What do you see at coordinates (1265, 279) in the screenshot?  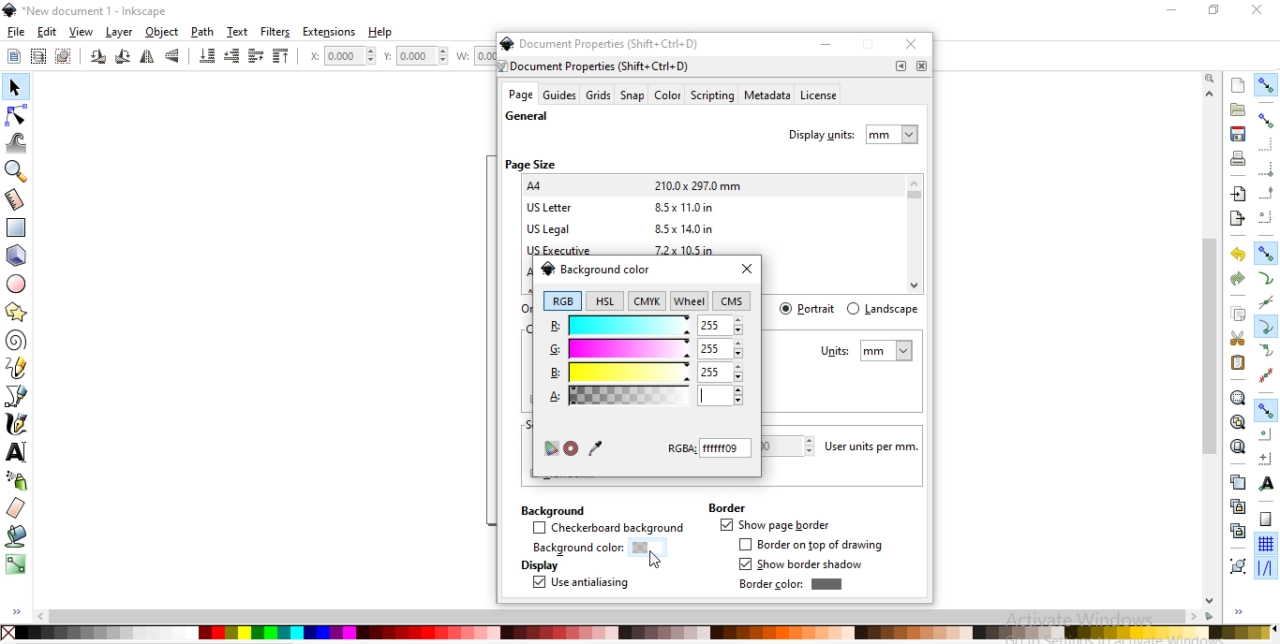 I see `snap to paths` at bounding box center [1265, 279].